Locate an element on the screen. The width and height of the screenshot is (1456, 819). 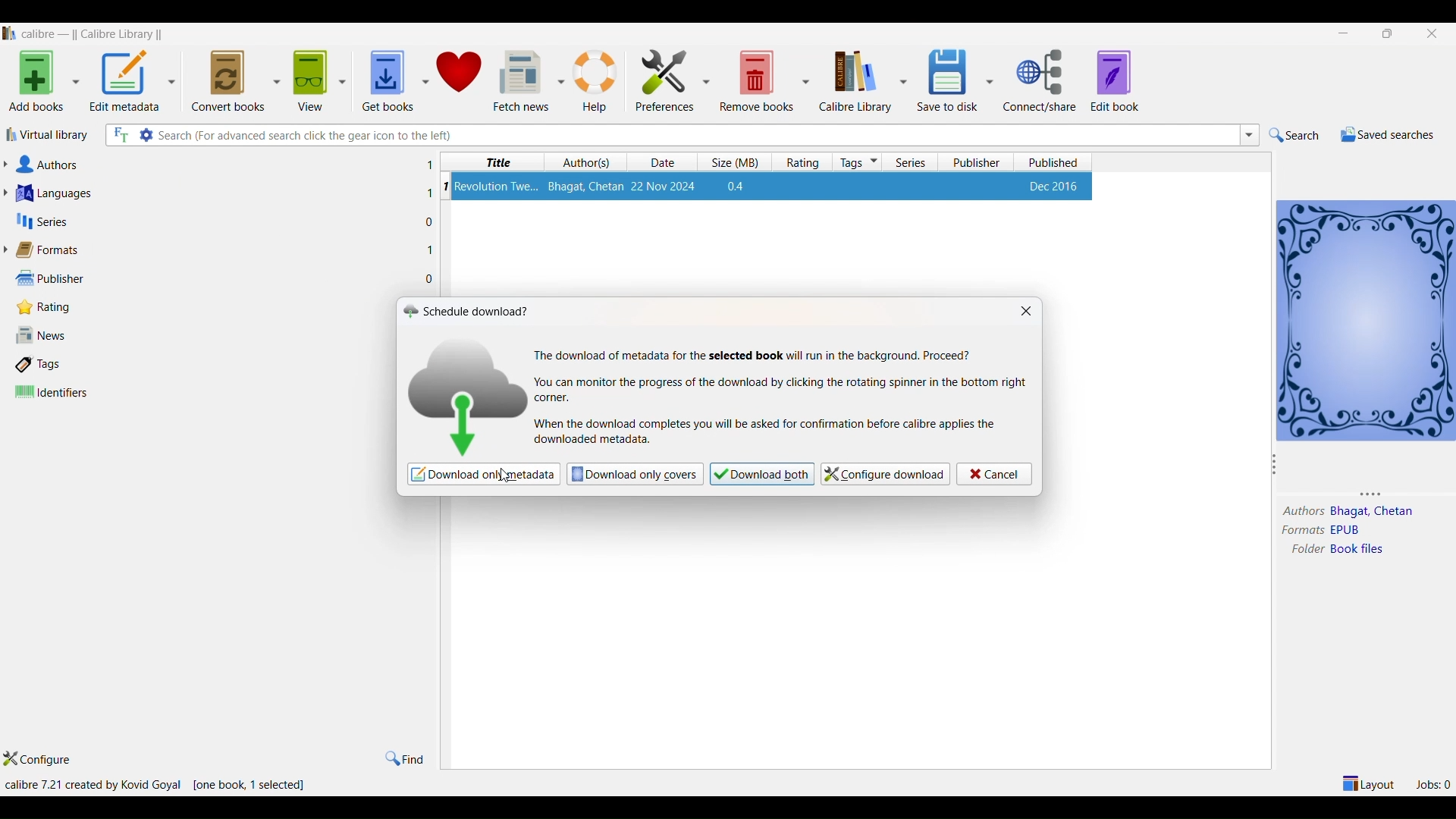
0 is located at coordinates (430, 278).